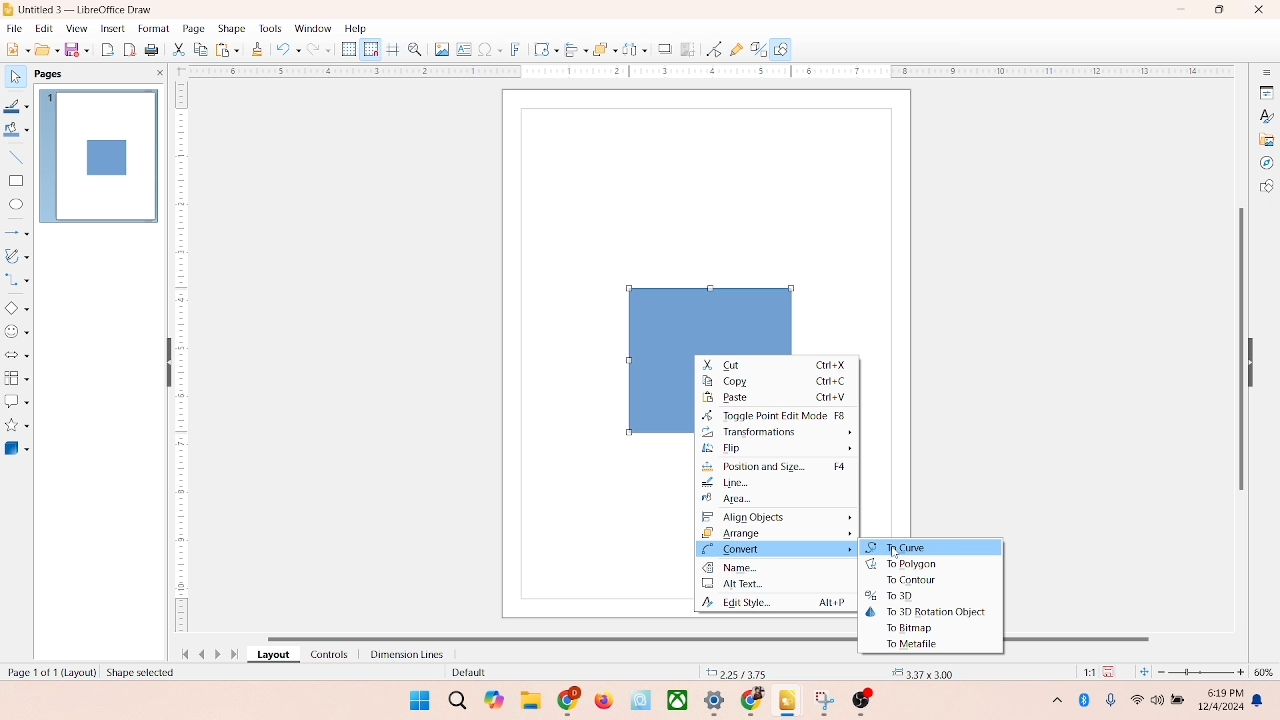  Describe the element at coordinates (453, 698) in the screenshot. I see `search` at that location.